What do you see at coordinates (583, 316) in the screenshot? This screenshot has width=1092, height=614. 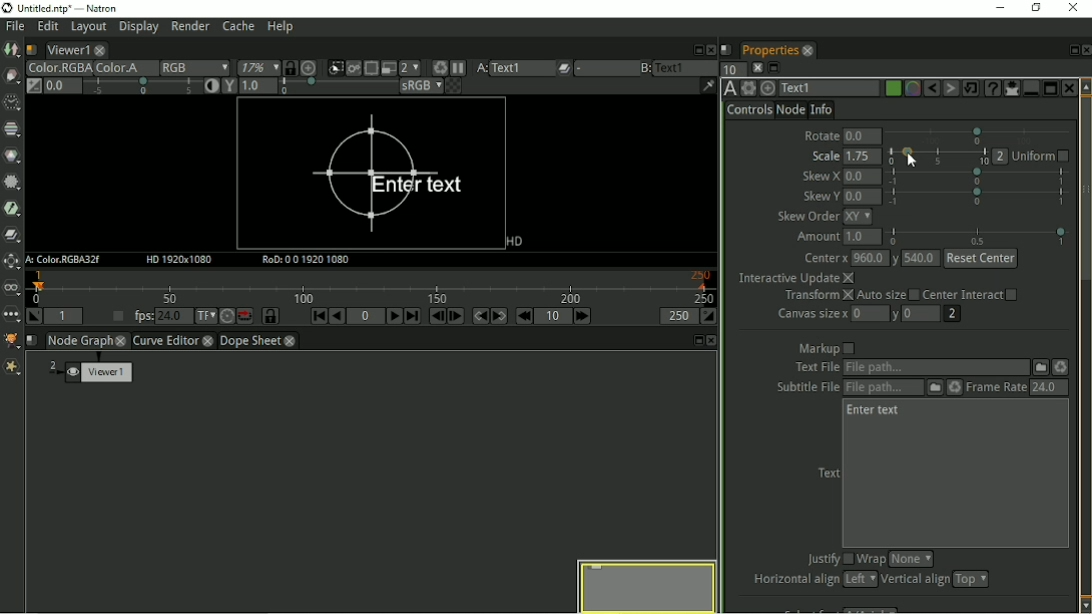 I see `Next increment` at bounding box center [583, 316].